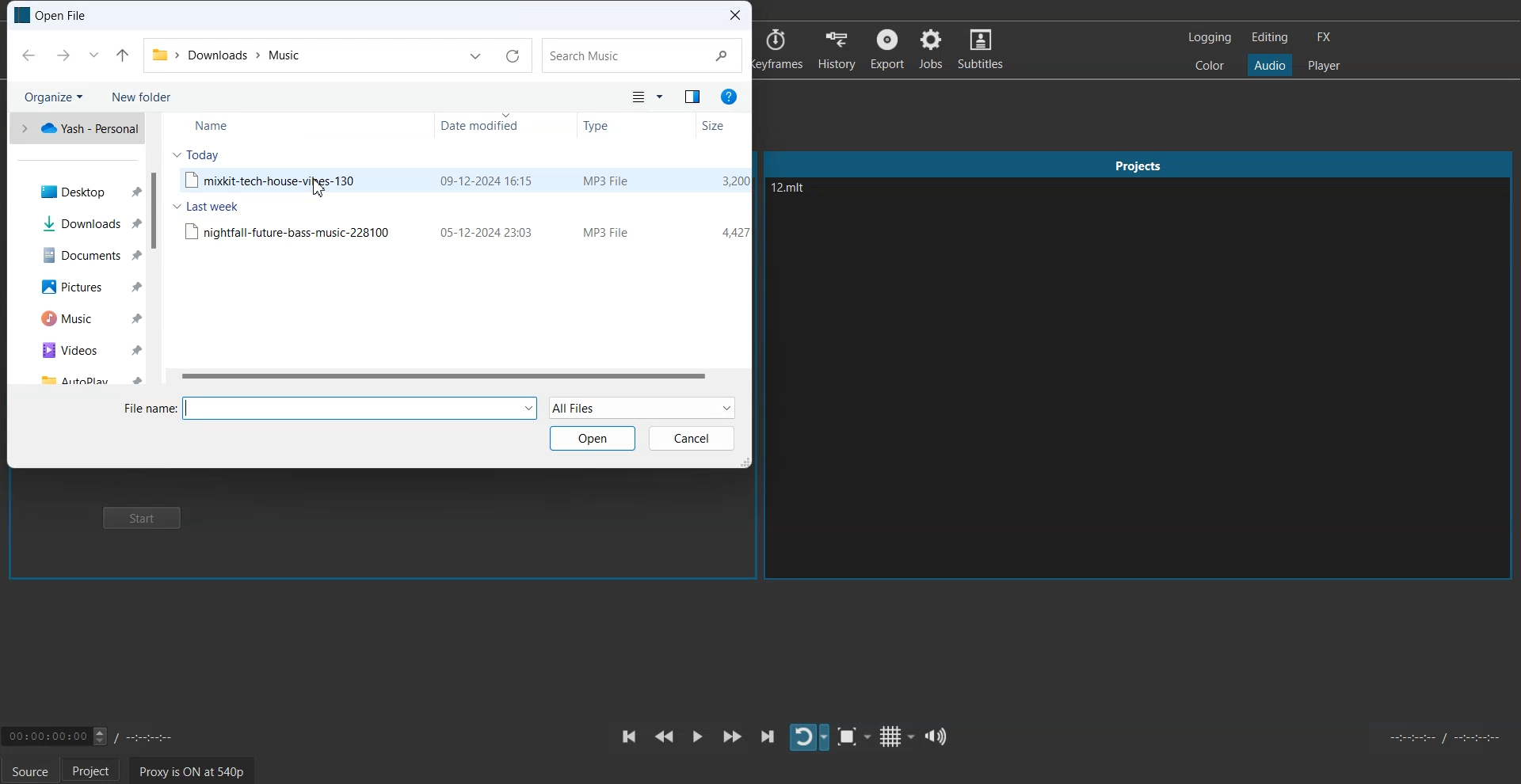  Describe the element at coordinates (889, 48) in the screenshot. I see `Export` at that location.